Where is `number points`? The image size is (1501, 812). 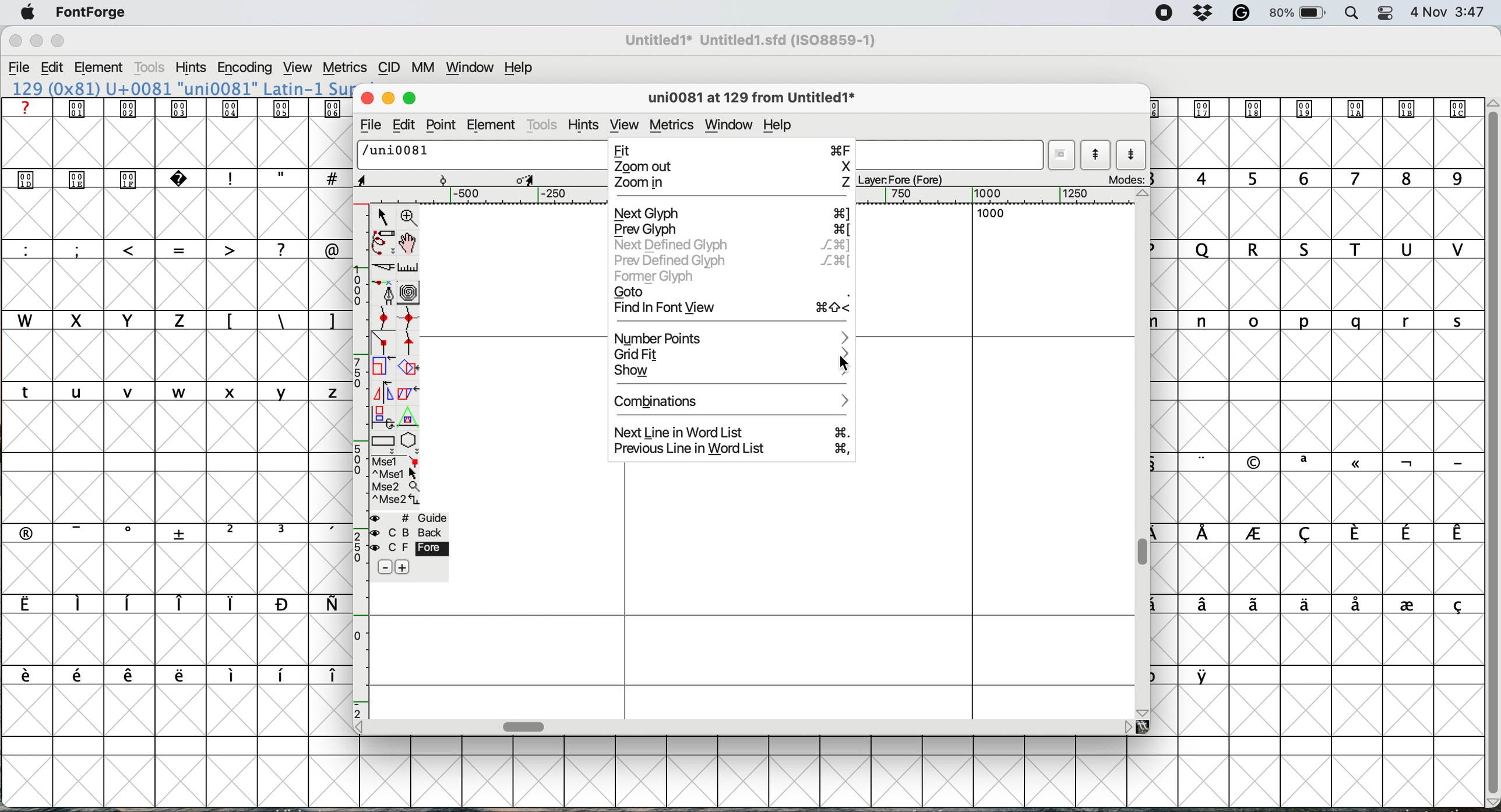
number points is located at coordinates (732, 337).